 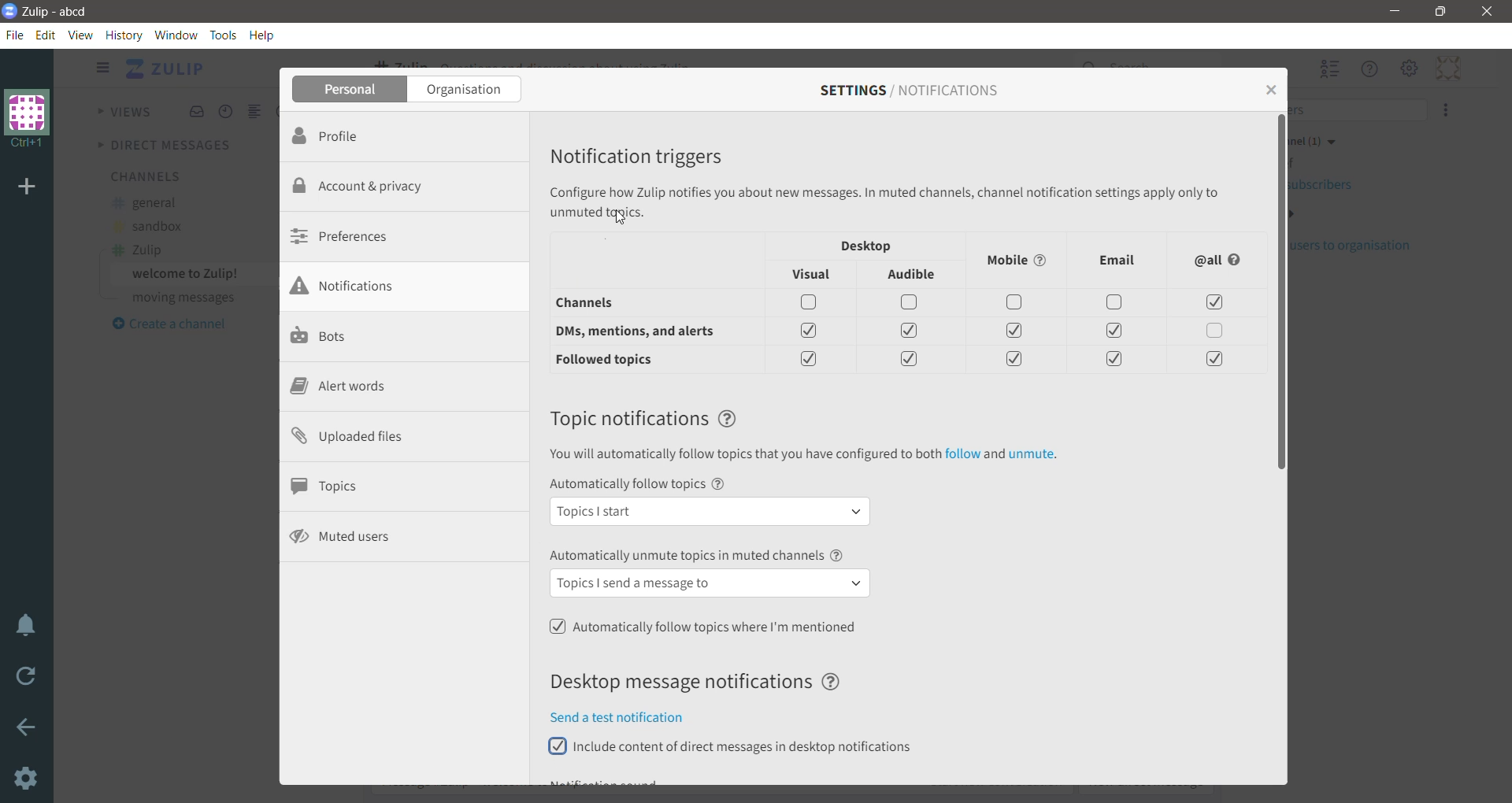 What do you see at coordinates (1213, 304) in the screenshot?
I see `check box` at bounding box center [1213, 304].